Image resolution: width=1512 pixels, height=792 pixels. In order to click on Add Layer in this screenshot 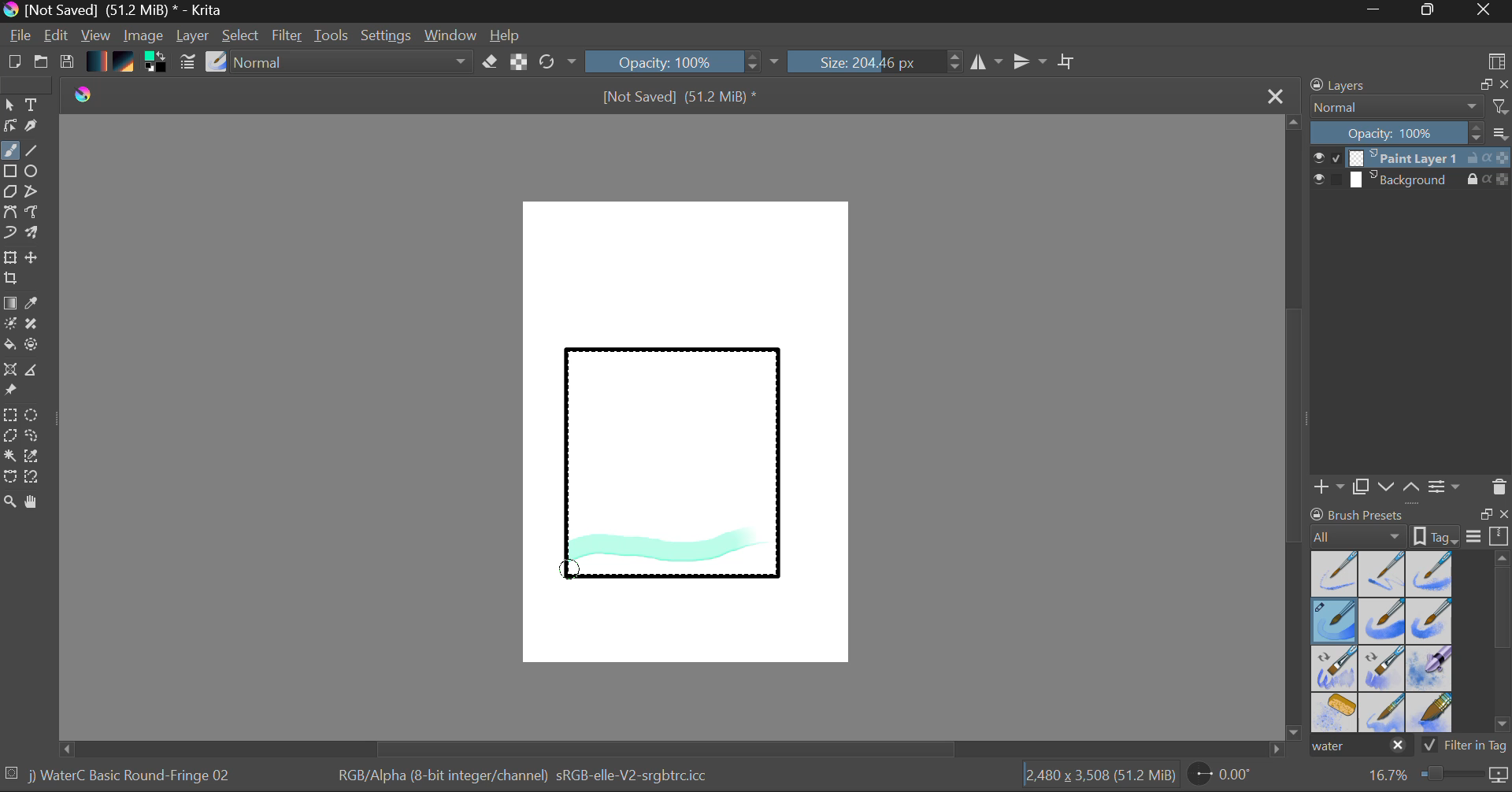, I will do `click(1329, 487)`.